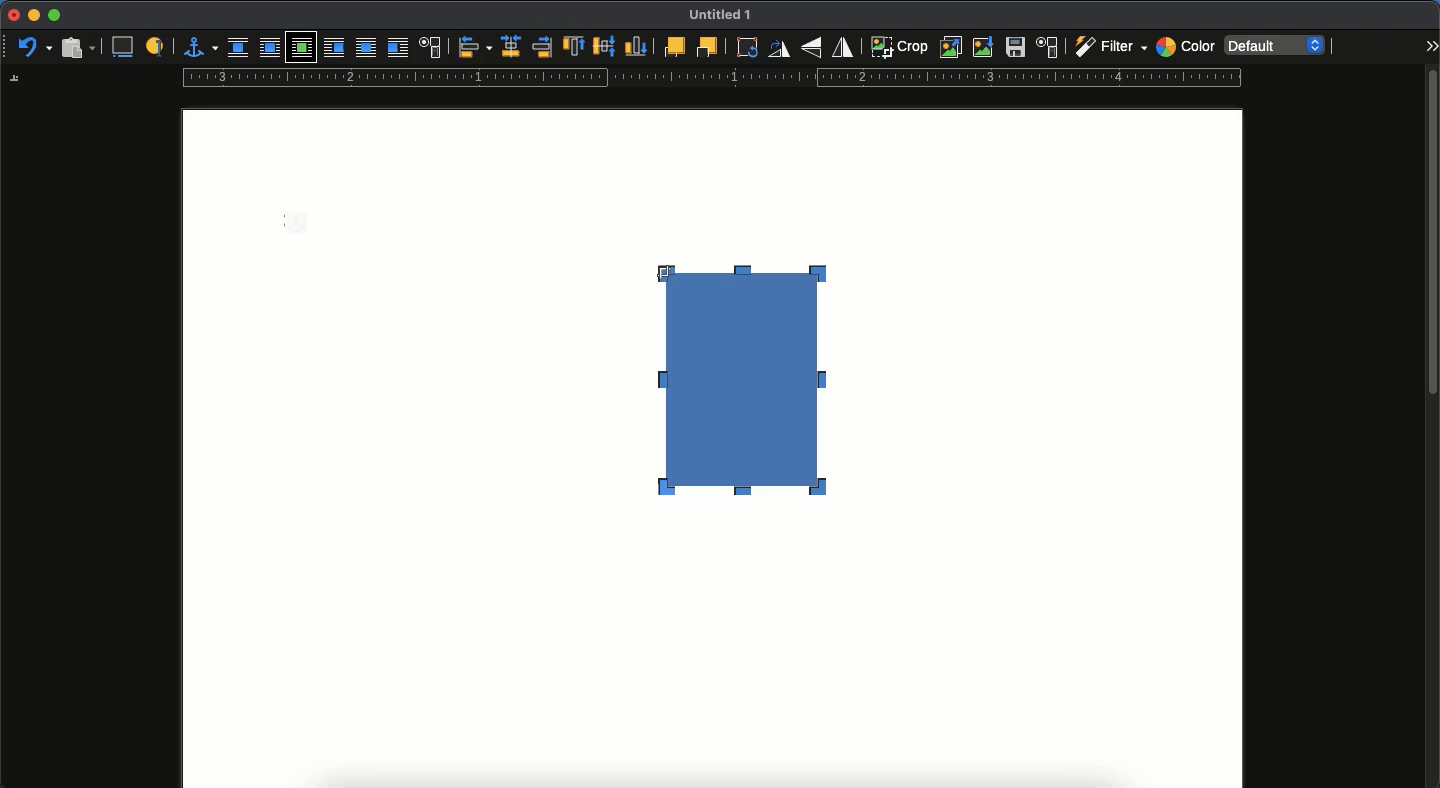 This screenshot has width=1440, height=788. What do you see at coordinates (35, 48) in the screenshot?
I see `undo` at bounding box center [35, 48].